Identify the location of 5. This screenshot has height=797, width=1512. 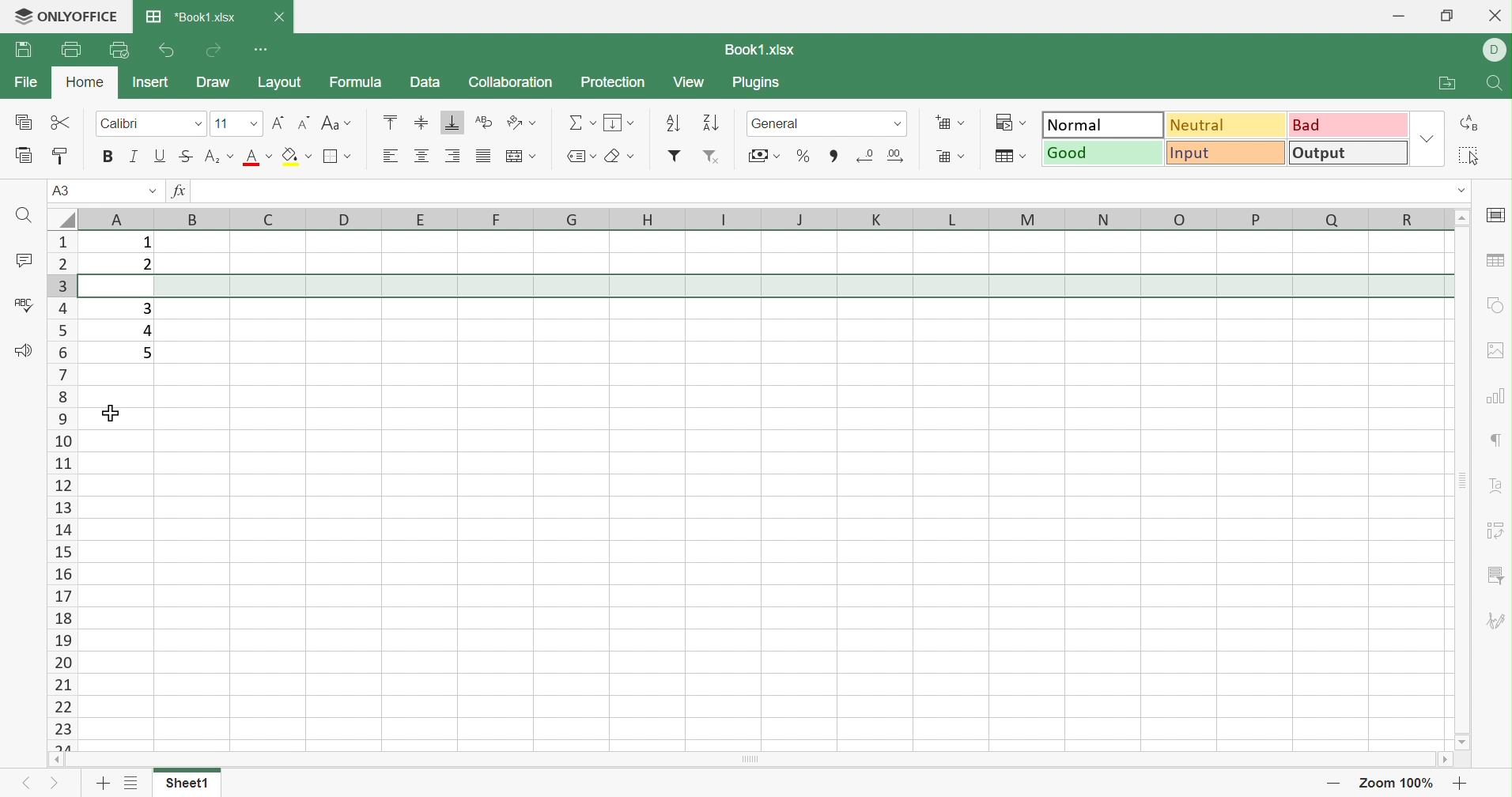
(146, 353).